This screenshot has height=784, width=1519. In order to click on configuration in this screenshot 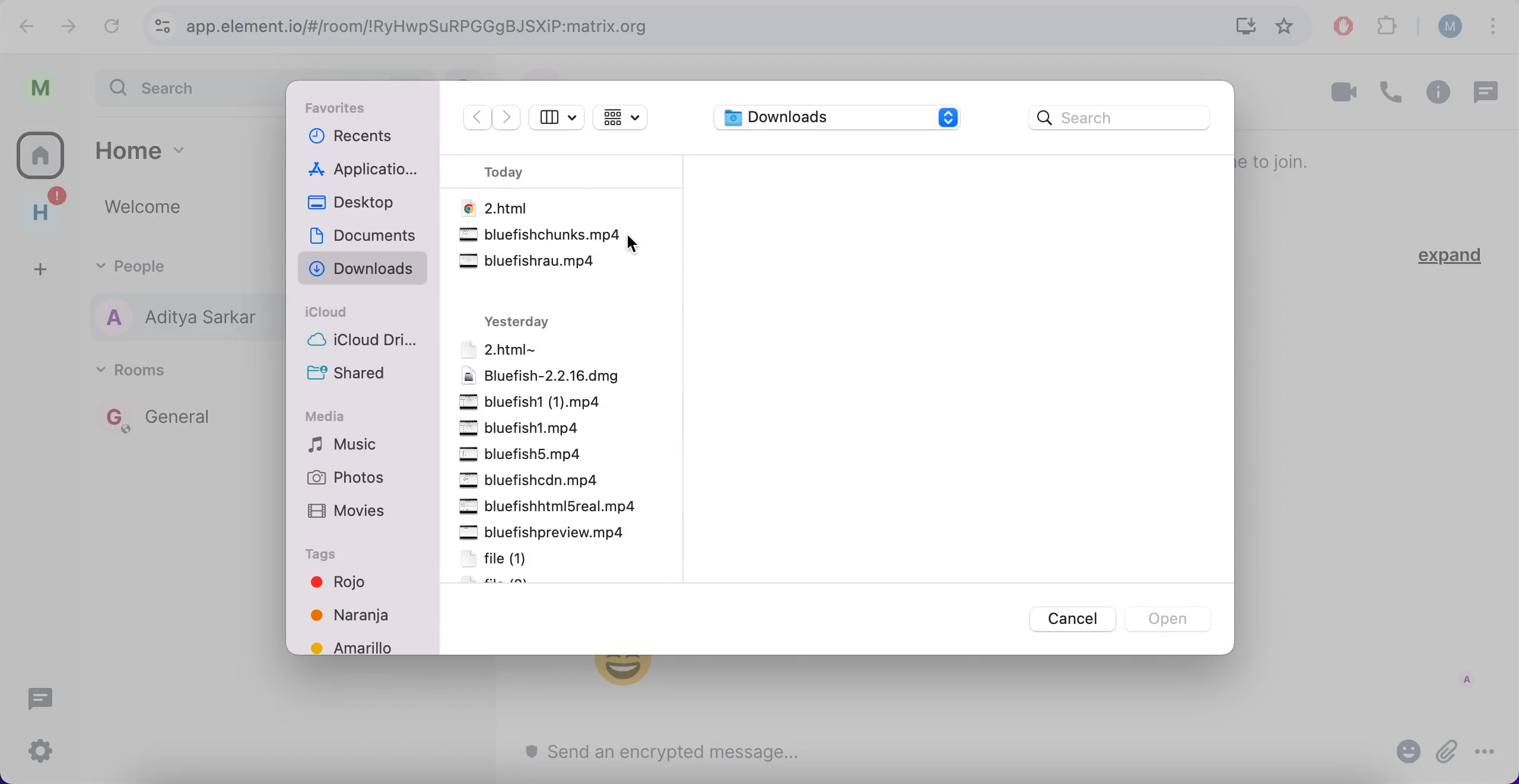, I will do `click(45, 753)`.